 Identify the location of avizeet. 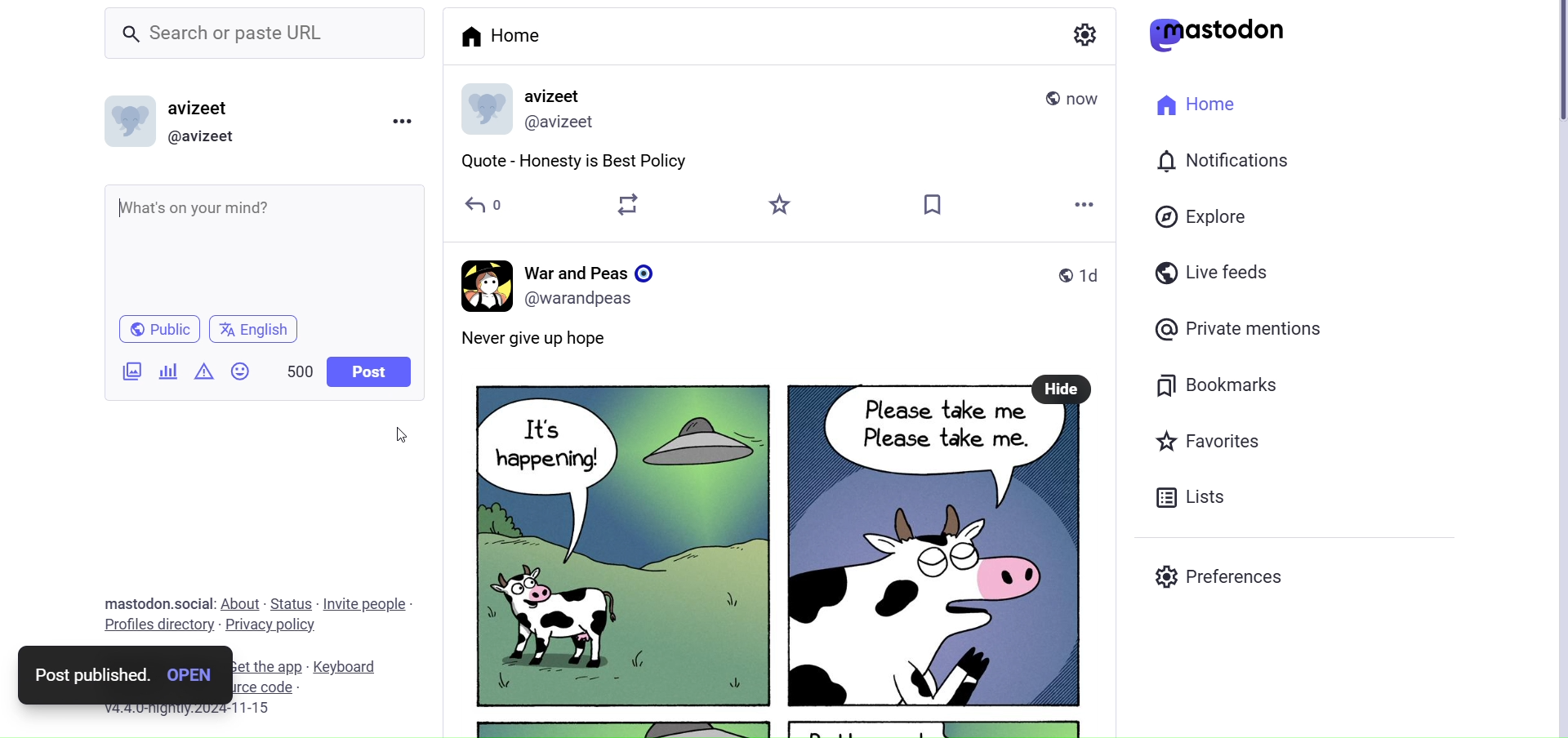
(202, 107).